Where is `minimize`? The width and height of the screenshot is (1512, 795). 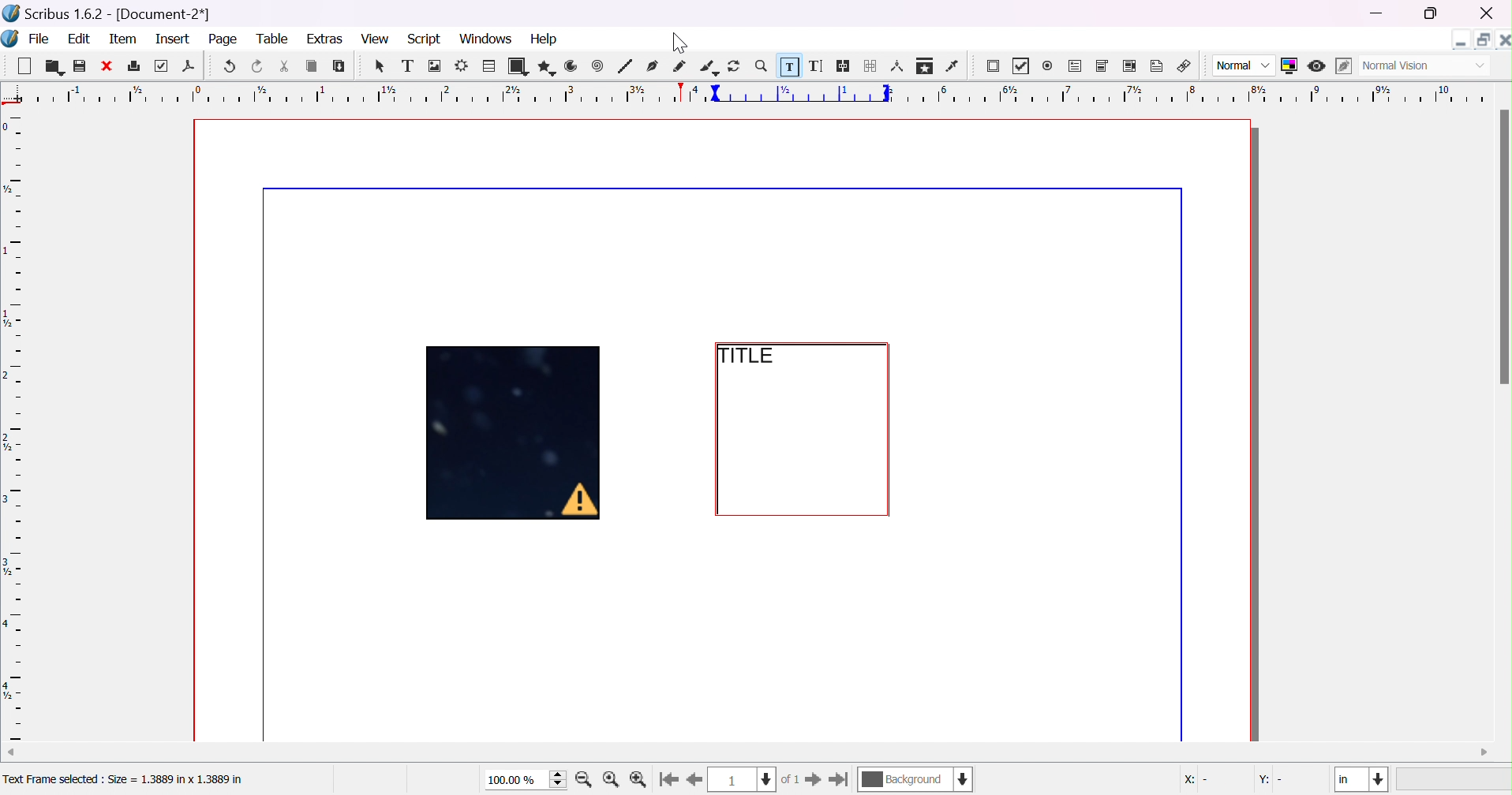
minimize is located at coordinates (1380, 14).